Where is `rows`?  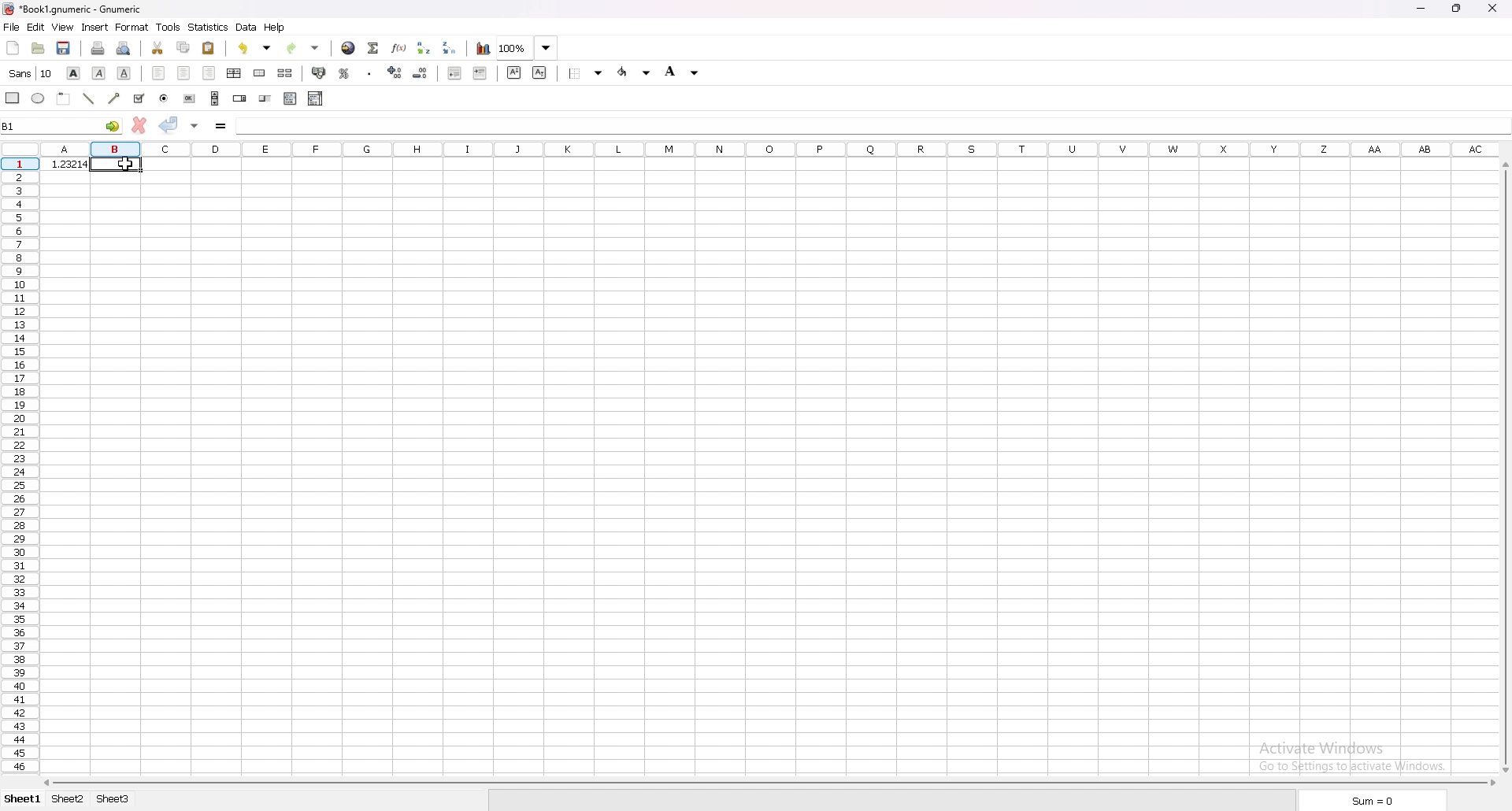 rows is located at coordinates (19, 466).